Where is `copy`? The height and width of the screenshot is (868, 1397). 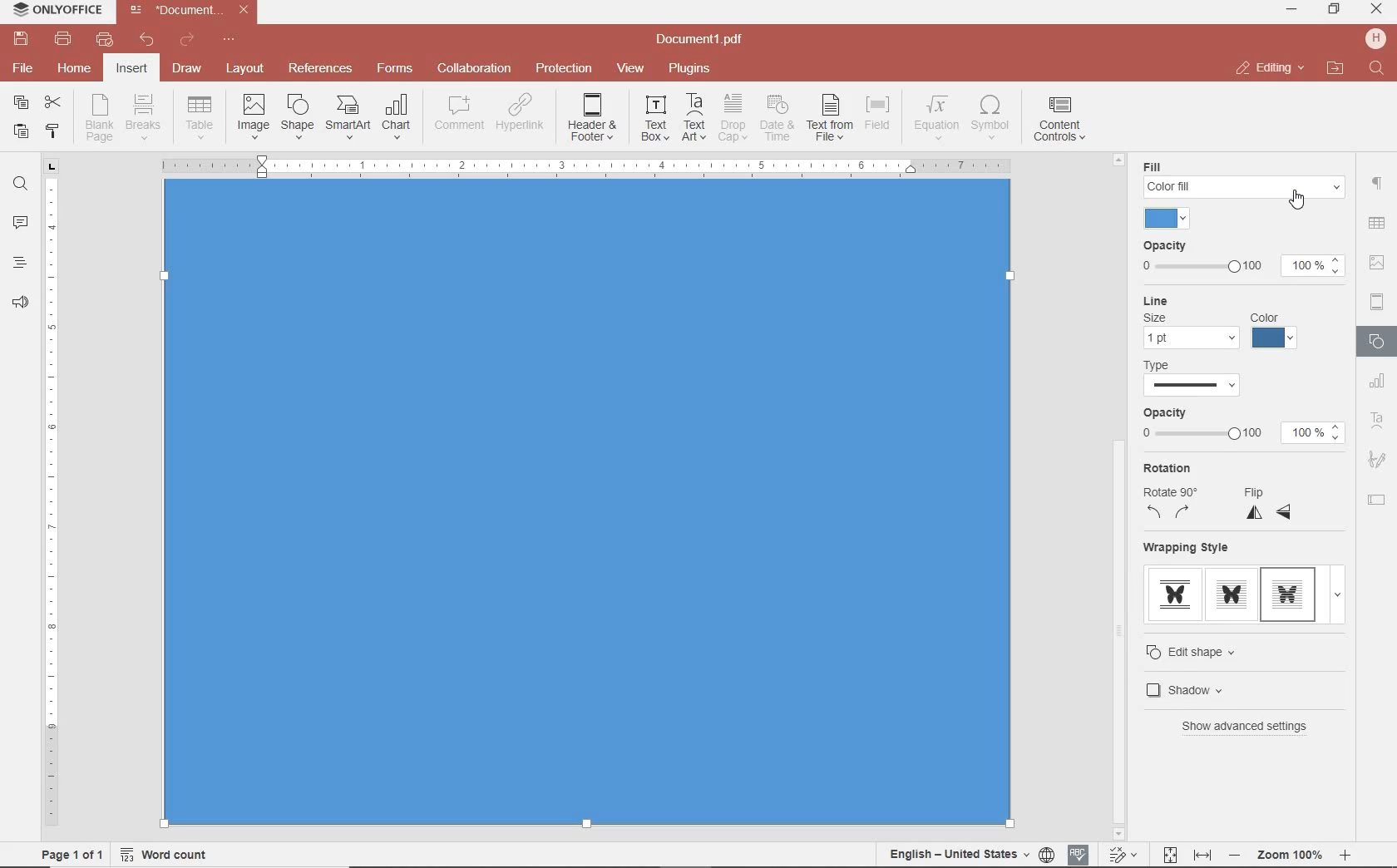 copy is located at coordinates (21, 104).